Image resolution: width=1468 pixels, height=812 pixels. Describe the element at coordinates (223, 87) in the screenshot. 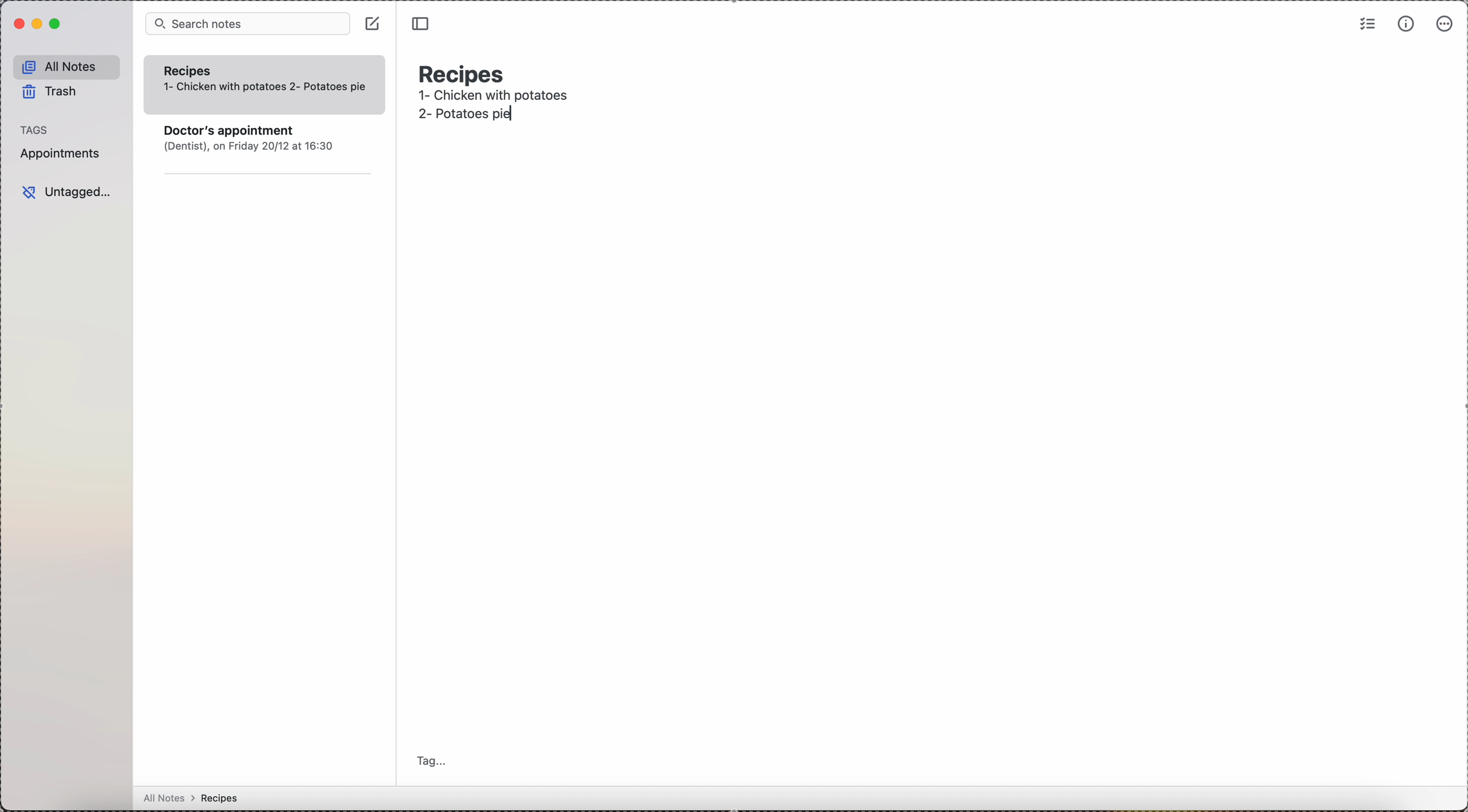

I see `1- Chicken with potatoes` at that location.